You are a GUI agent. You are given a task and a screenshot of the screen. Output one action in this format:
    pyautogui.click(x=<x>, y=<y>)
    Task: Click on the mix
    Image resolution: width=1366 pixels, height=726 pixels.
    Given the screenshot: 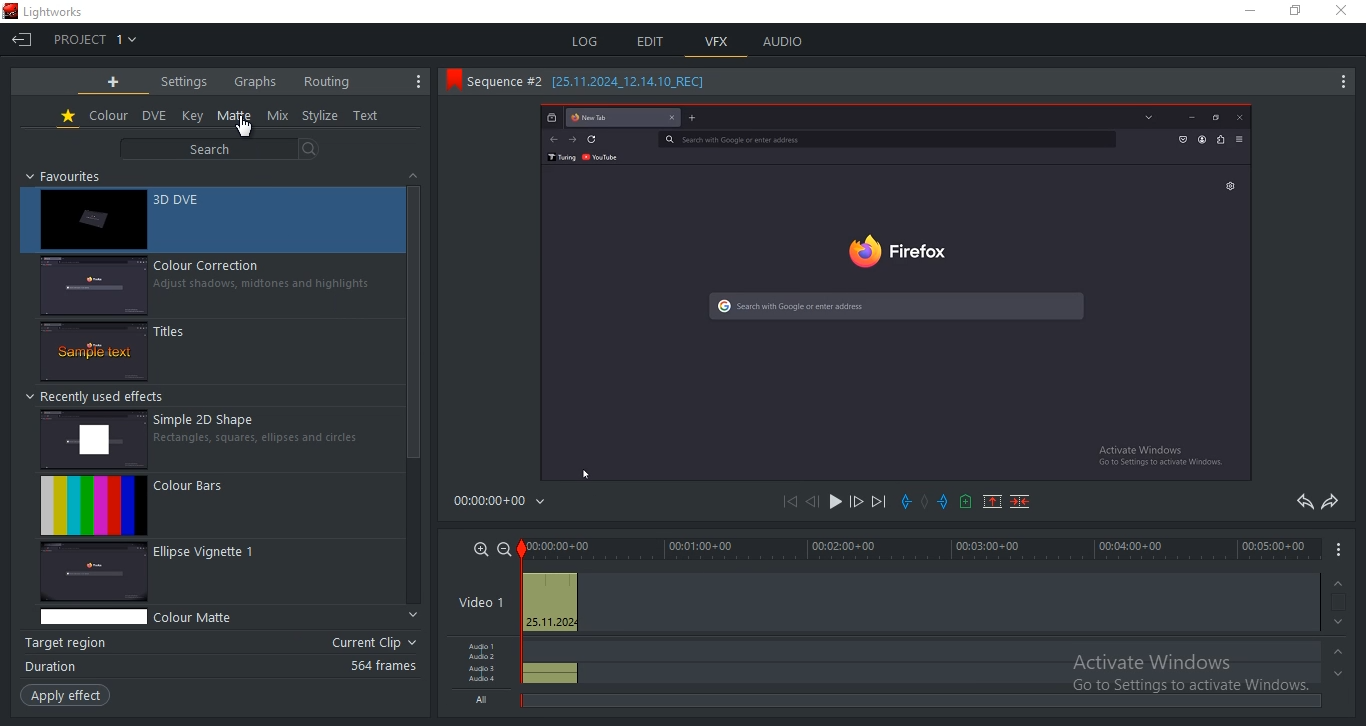 What is the action you would take?
    pyautogui.click(x=278, y=116)
    